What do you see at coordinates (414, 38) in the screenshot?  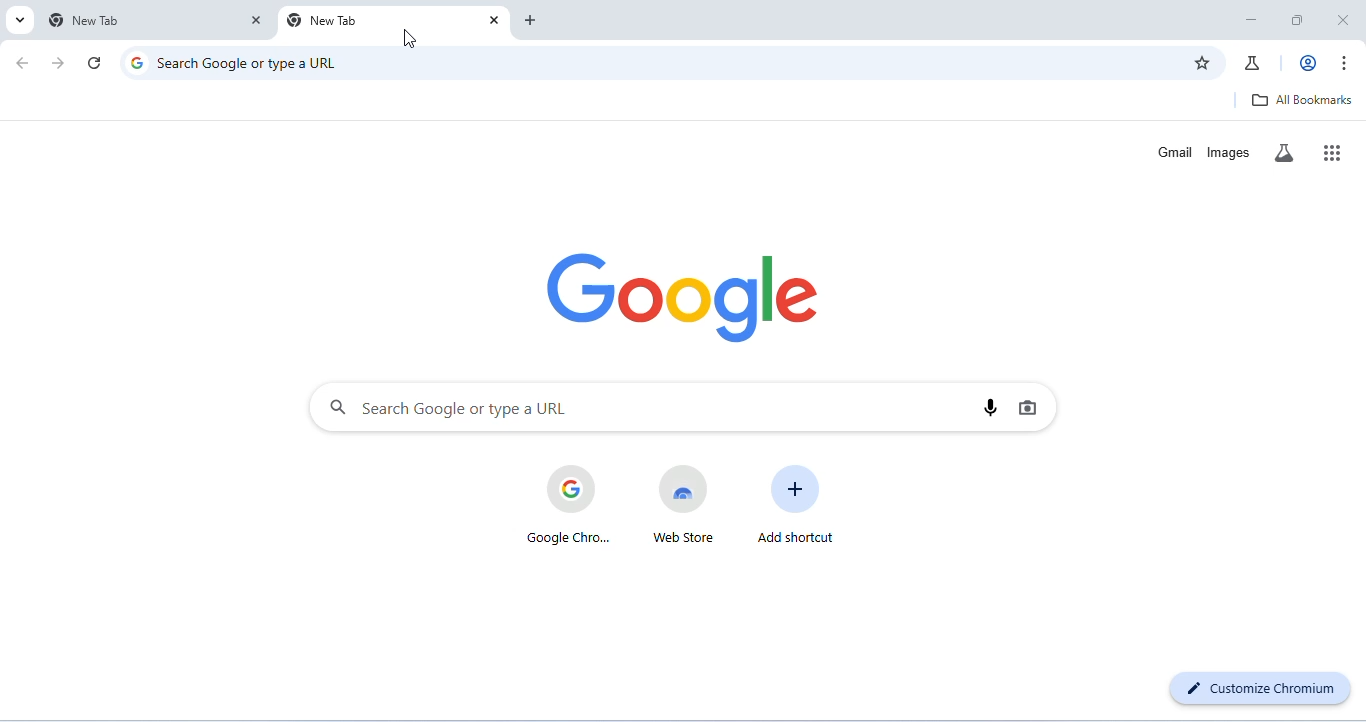 I see `cursor` at bounding box center [414, 38].